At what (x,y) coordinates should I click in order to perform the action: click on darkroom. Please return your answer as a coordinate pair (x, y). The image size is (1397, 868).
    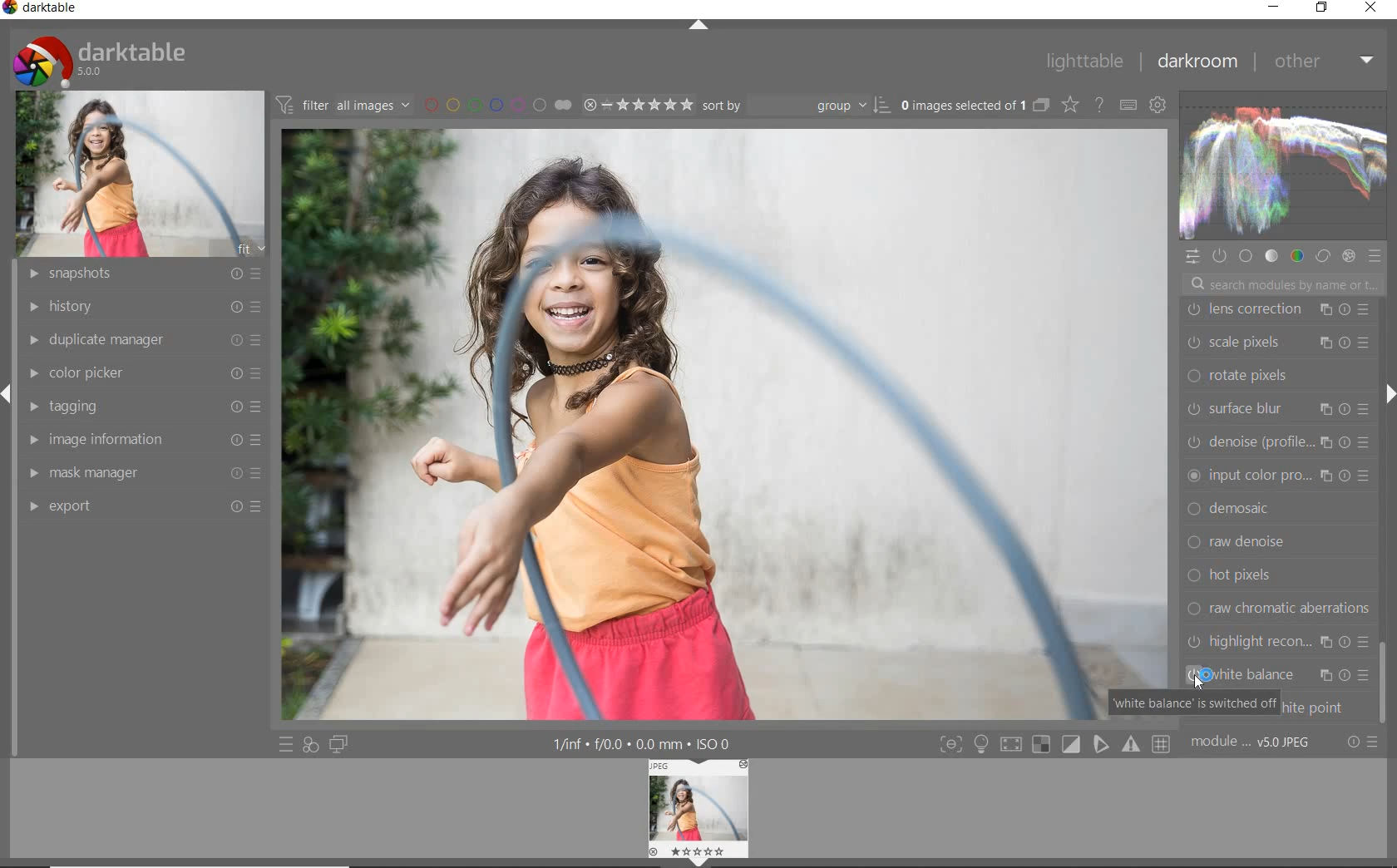
    Looking at the image, I should click on (1200, 62).